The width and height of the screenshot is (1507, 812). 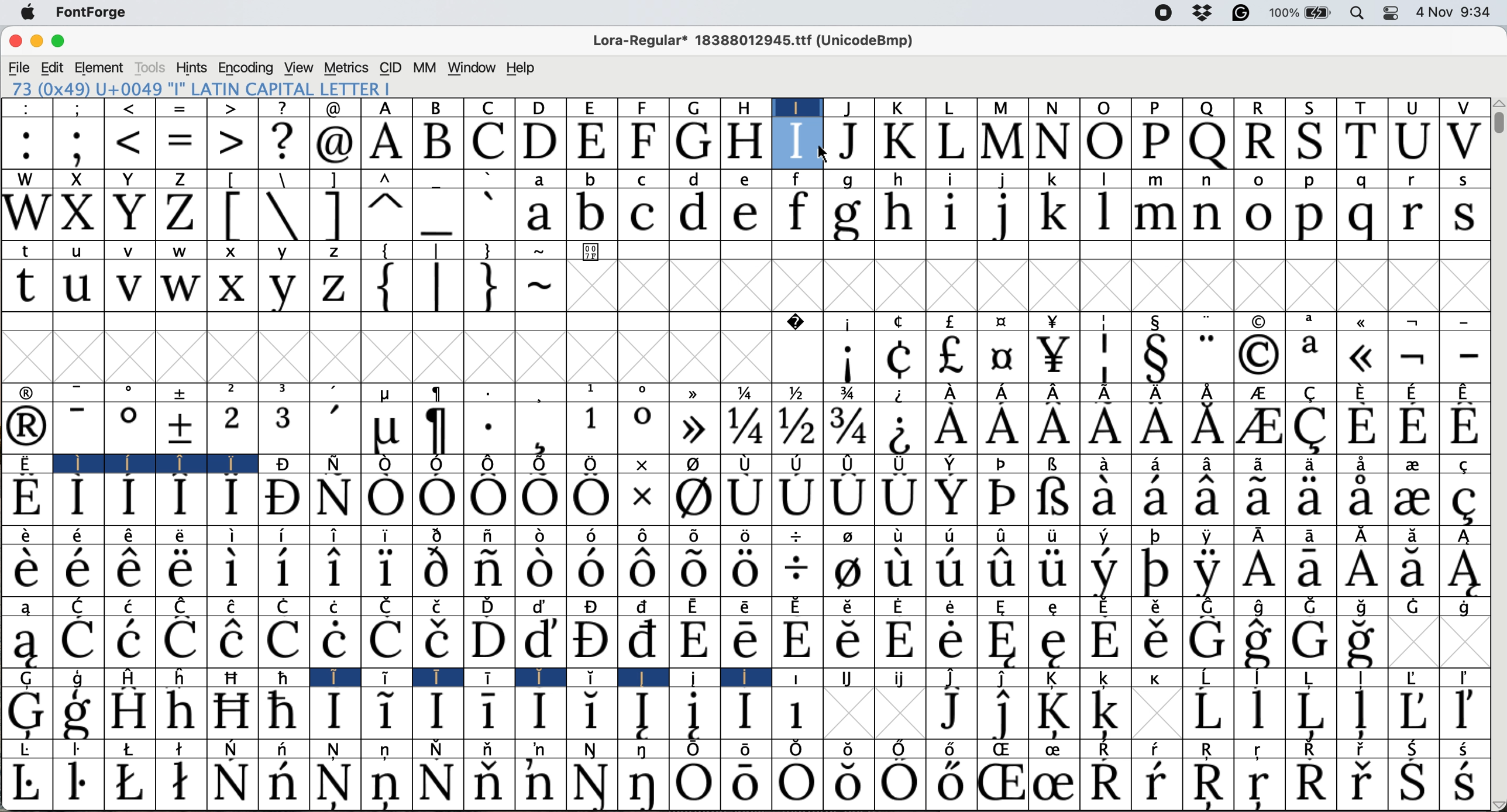 I want to click on Symbol, so click(x=339, y=462).